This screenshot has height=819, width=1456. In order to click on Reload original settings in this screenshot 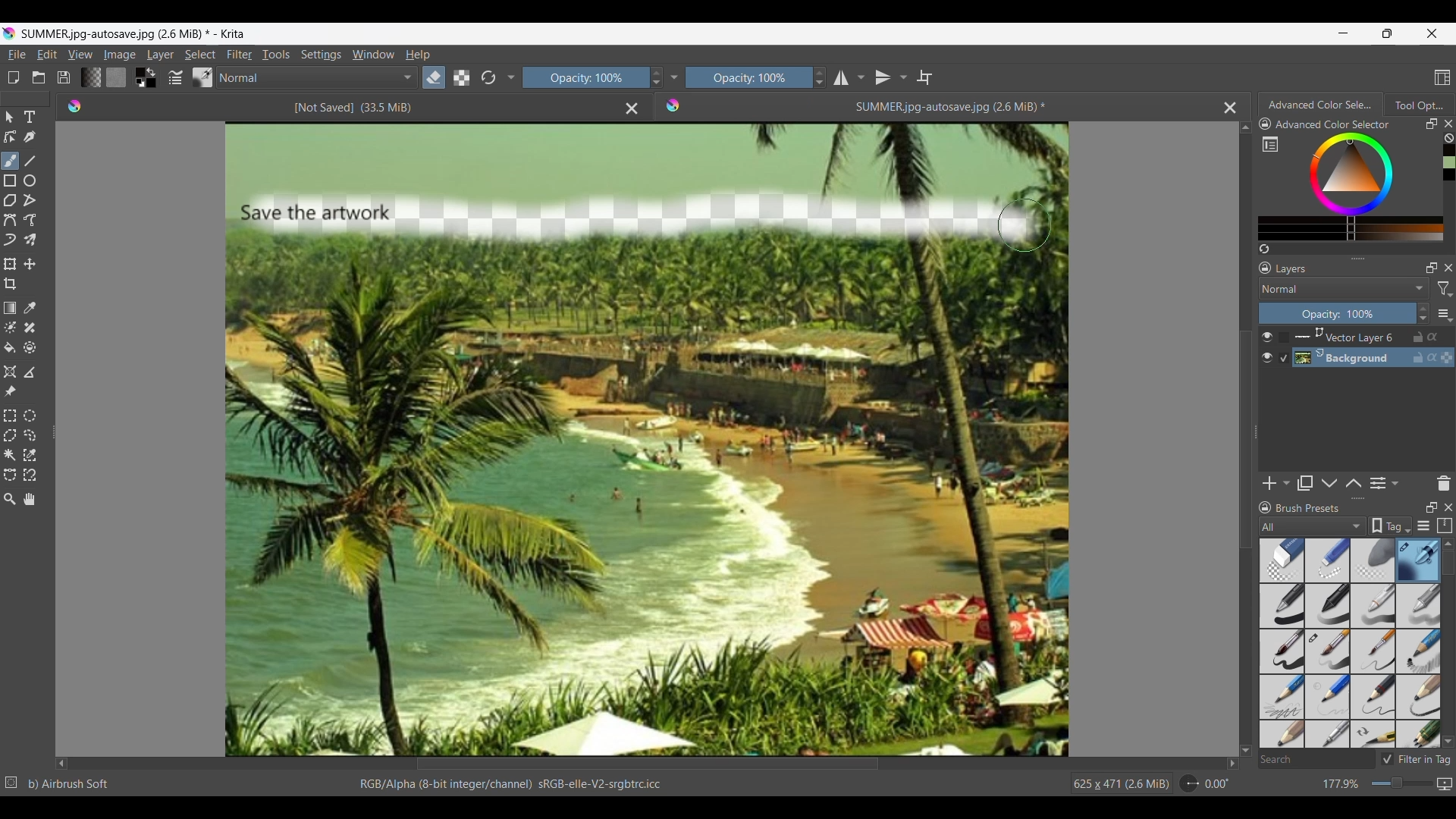, I will do `click(488, 77)`.